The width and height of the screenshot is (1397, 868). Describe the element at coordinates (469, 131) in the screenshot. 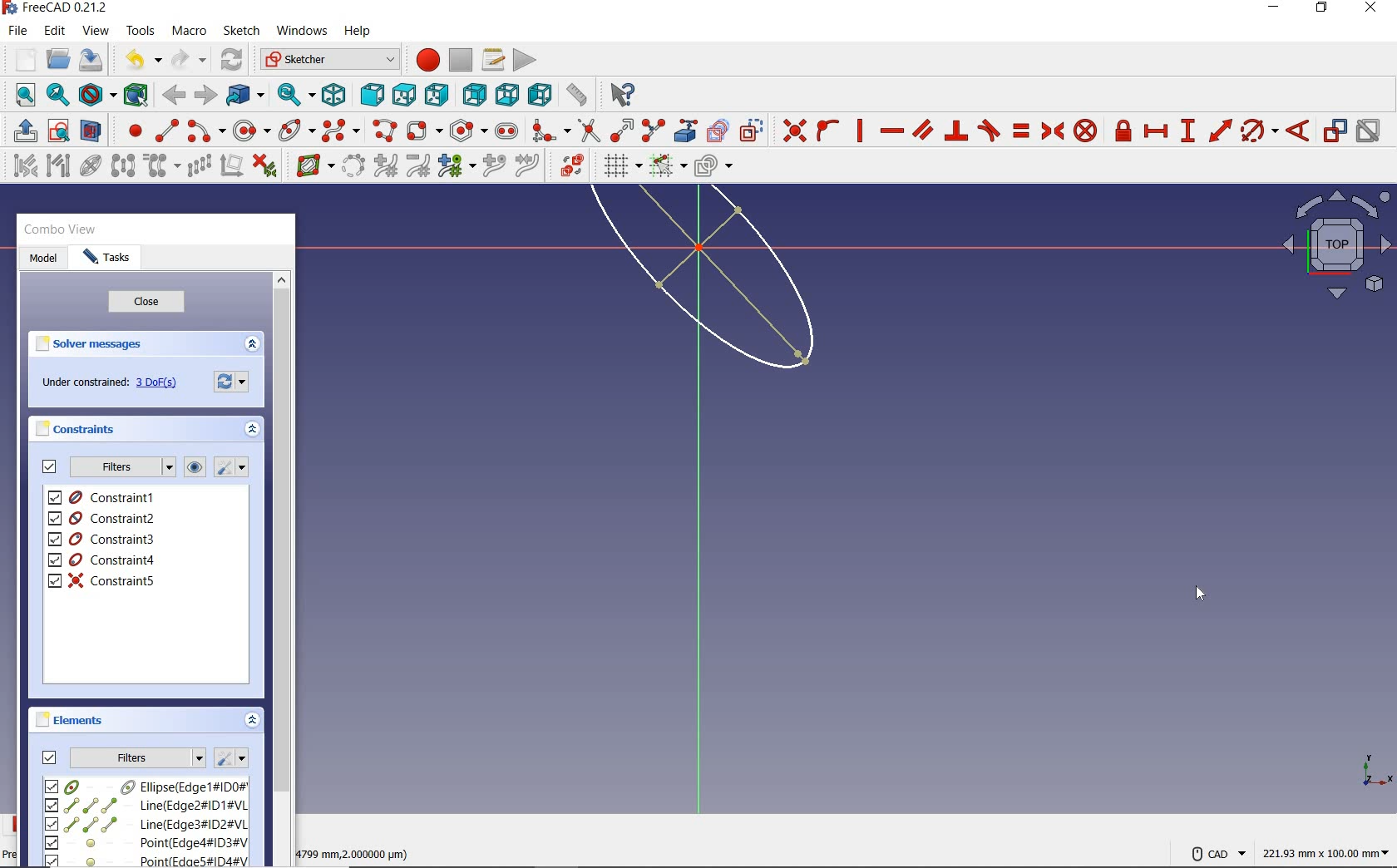

I see `create regular polygon` at that location.